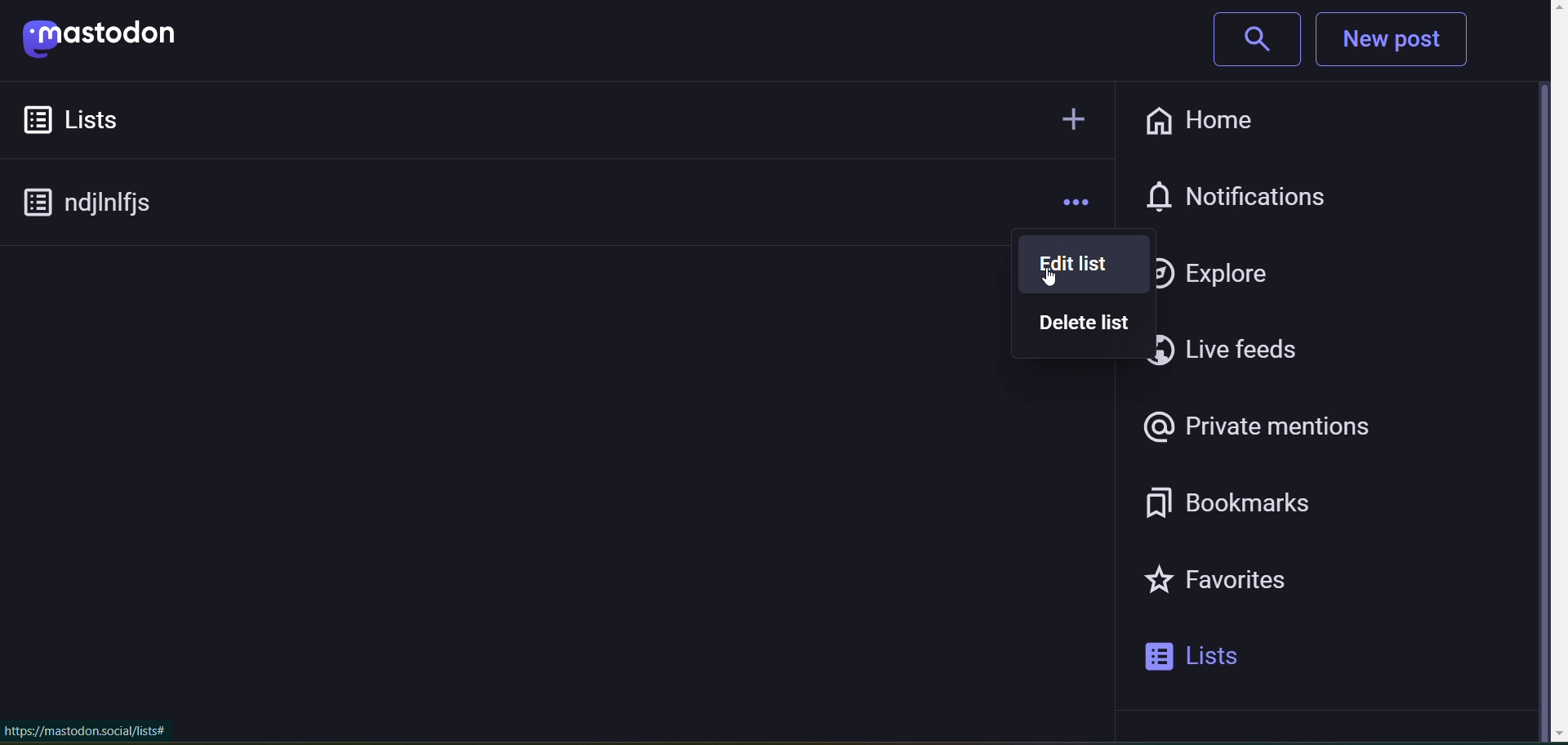 The height and width of the screenshot is (745, 1568). I want to click on explore, so click(1226, 273).